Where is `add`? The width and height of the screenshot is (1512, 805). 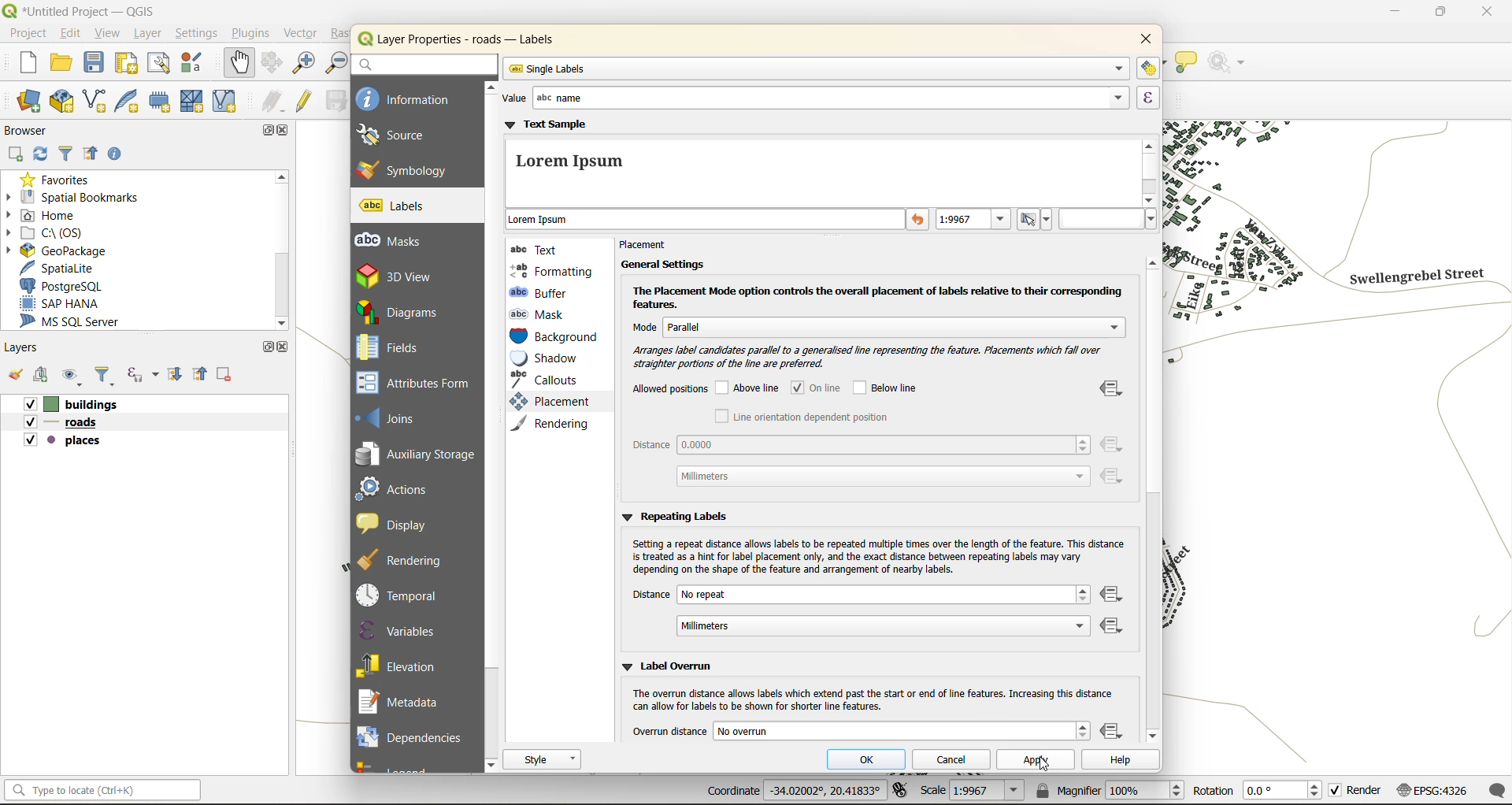 add is located at coordinates (17, 154).